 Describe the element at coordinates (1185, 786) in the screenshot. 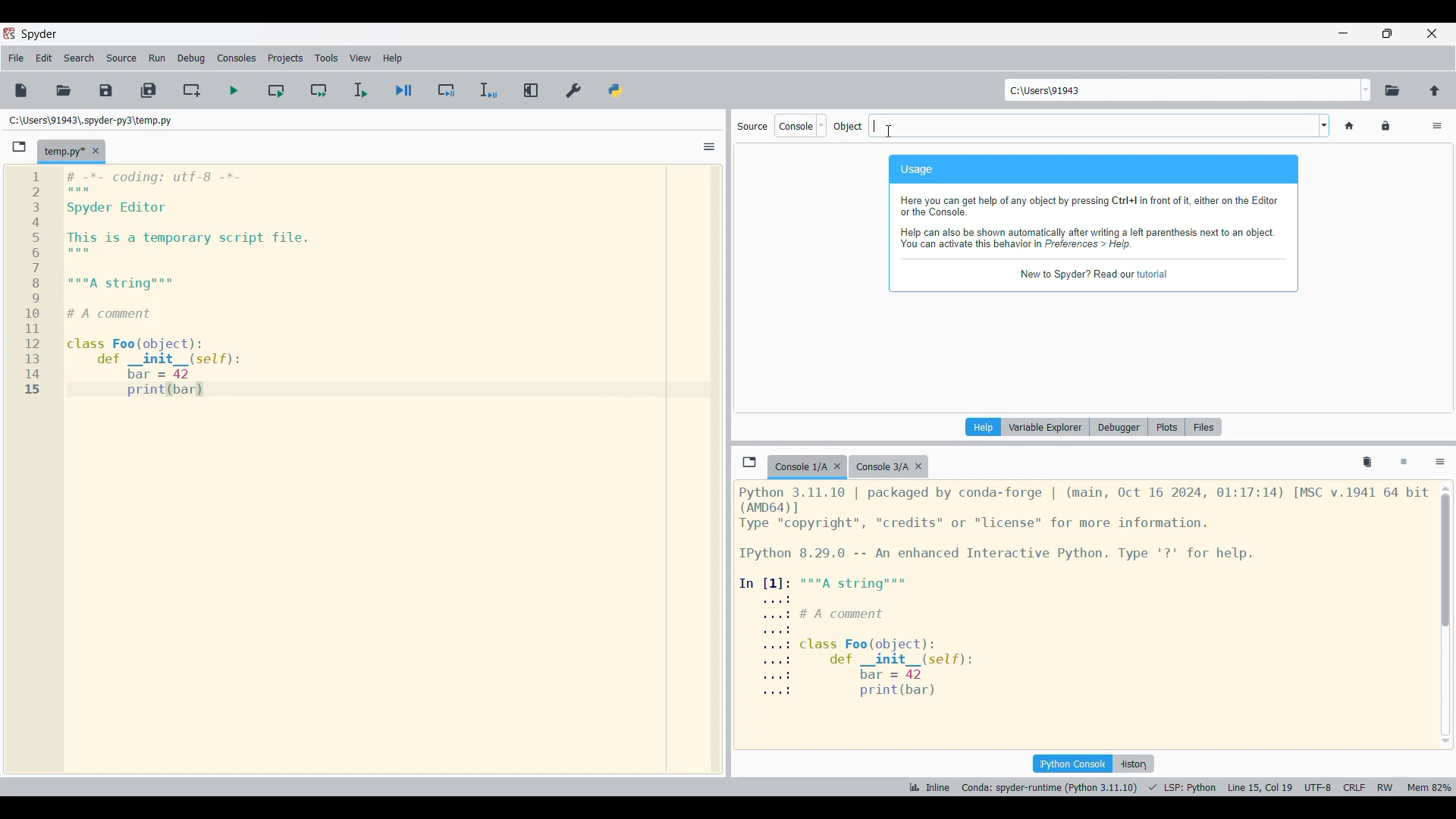

I see `LSP python` at that location.